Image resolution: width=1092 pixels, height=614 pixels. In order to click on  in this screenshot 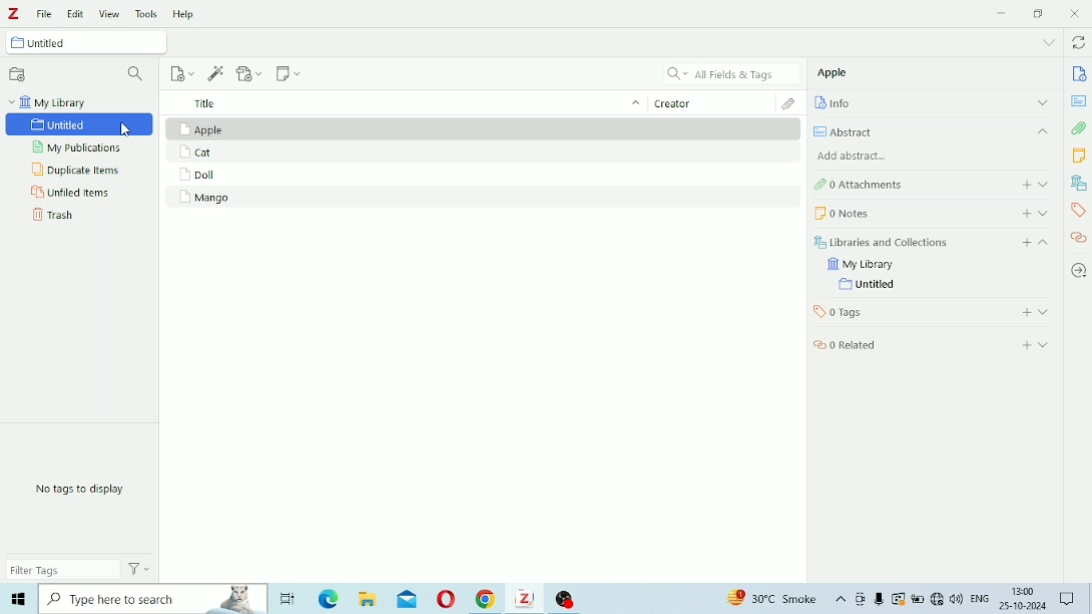, I will do `click(482, 598)`.